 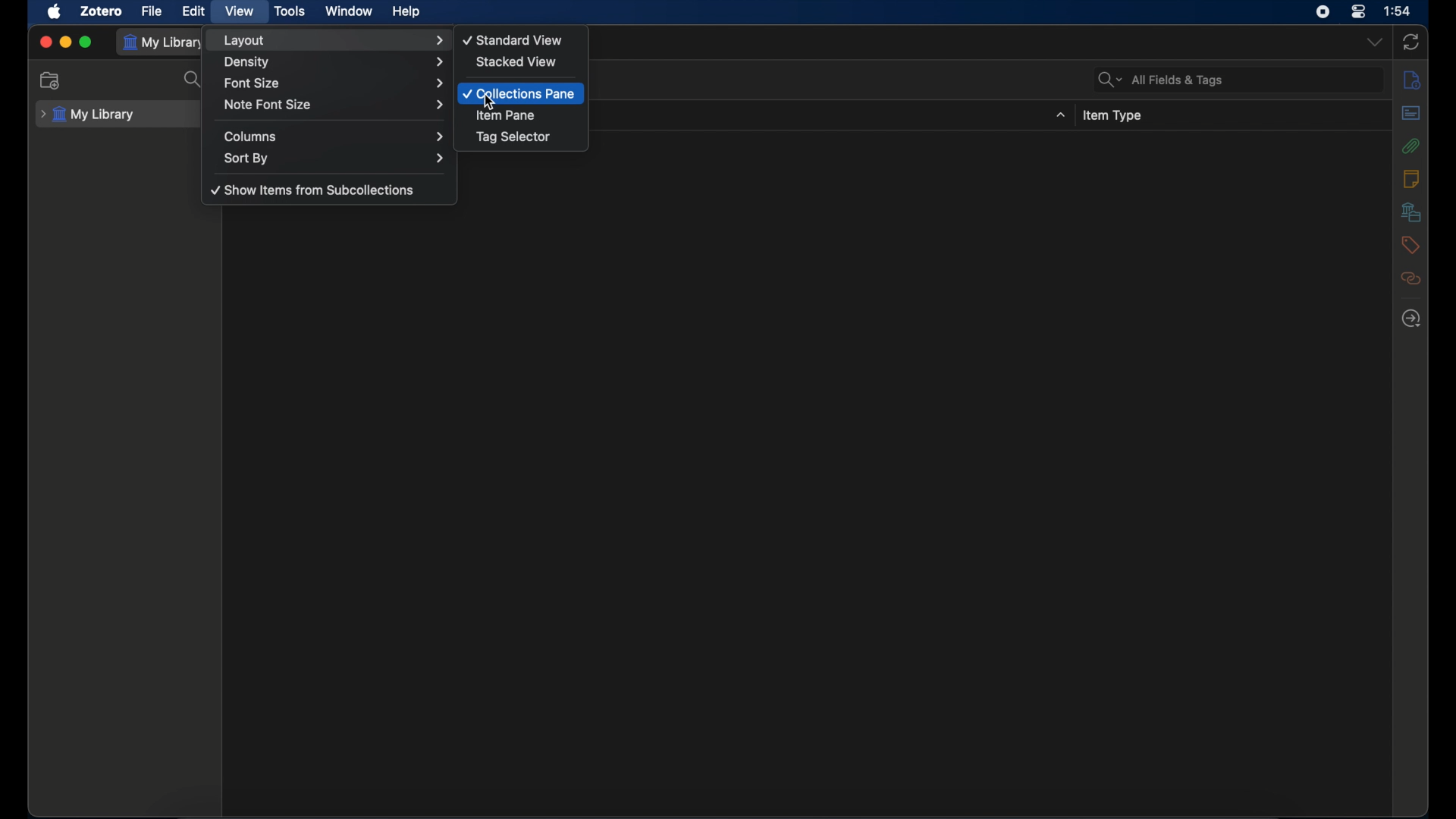 What do you see at coordinates (101, 11) in the screenshot?
I see `zotero` at bounding box center [101, 11].